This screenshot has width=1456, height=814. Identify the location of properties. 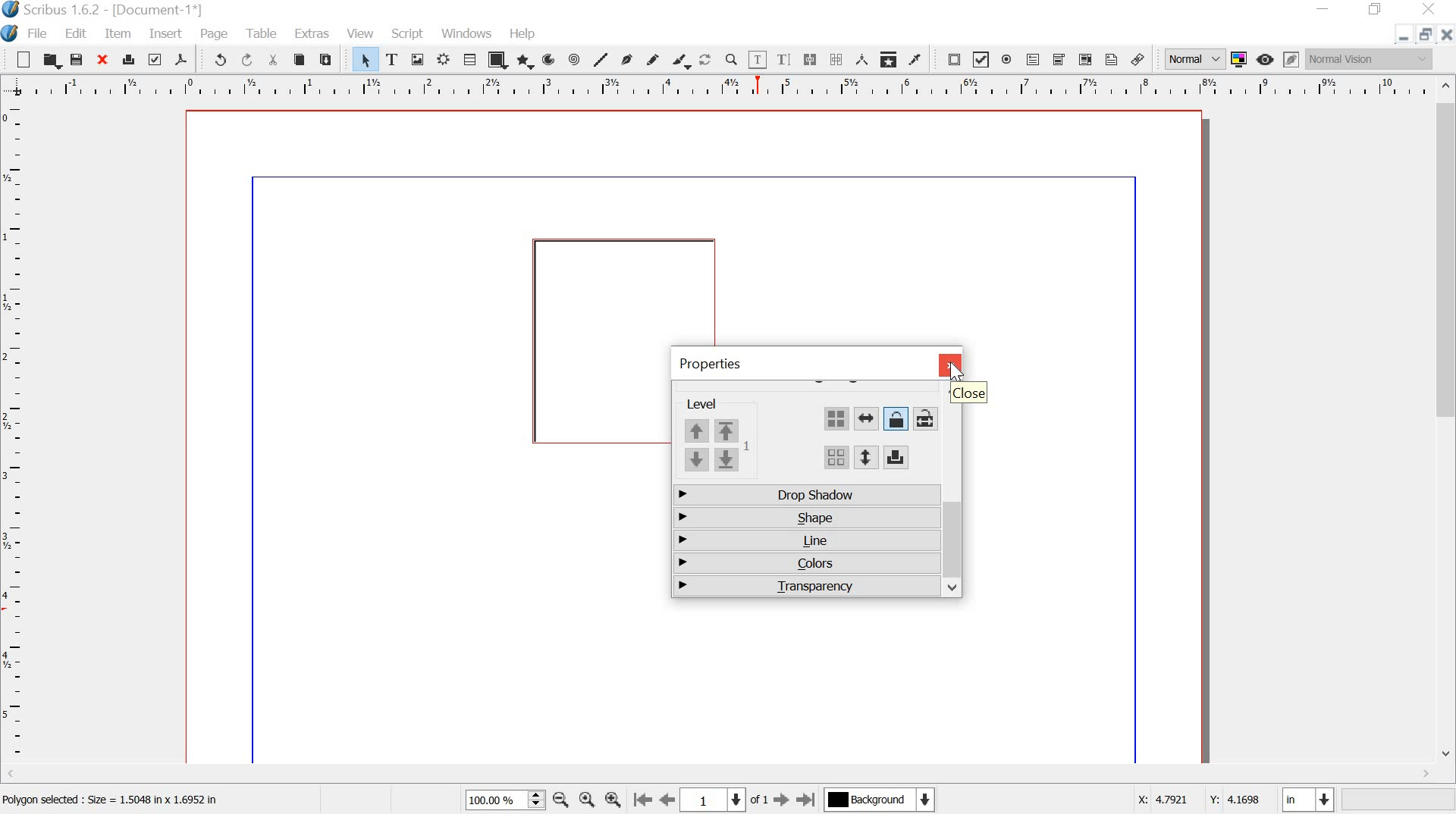
(710, 364).